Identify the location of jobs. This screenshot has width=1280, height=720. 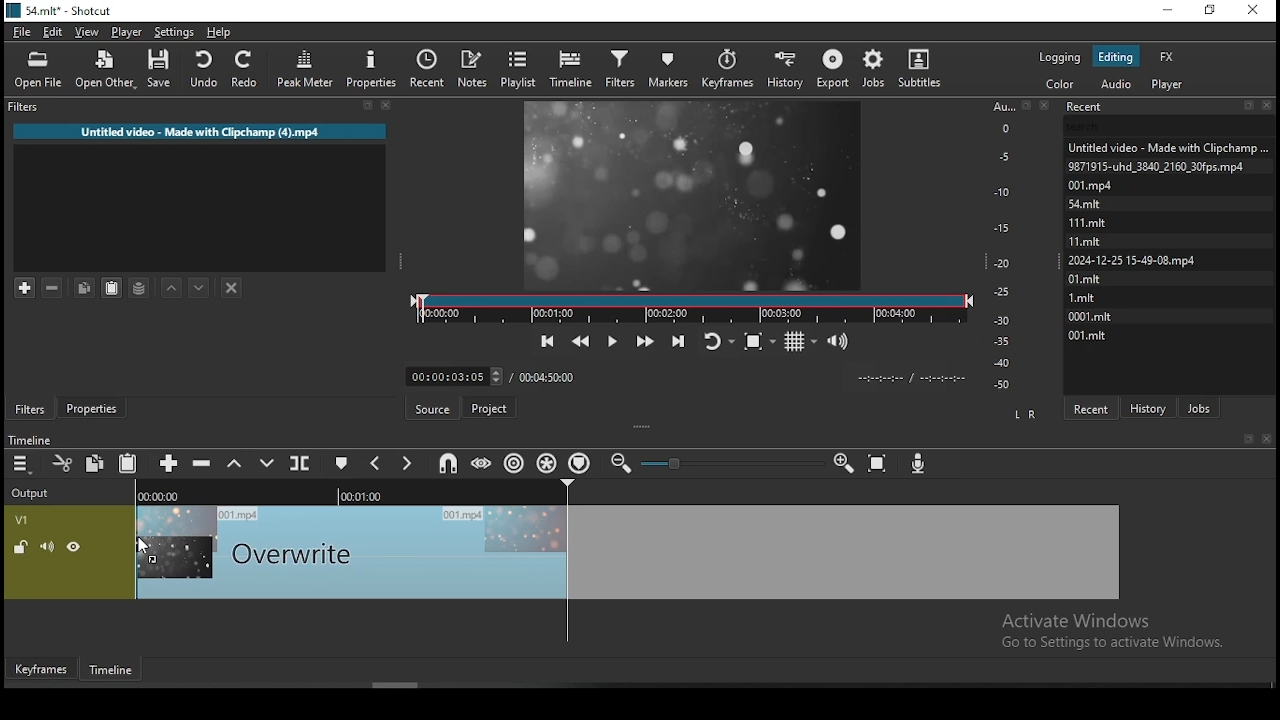
(873, 69).